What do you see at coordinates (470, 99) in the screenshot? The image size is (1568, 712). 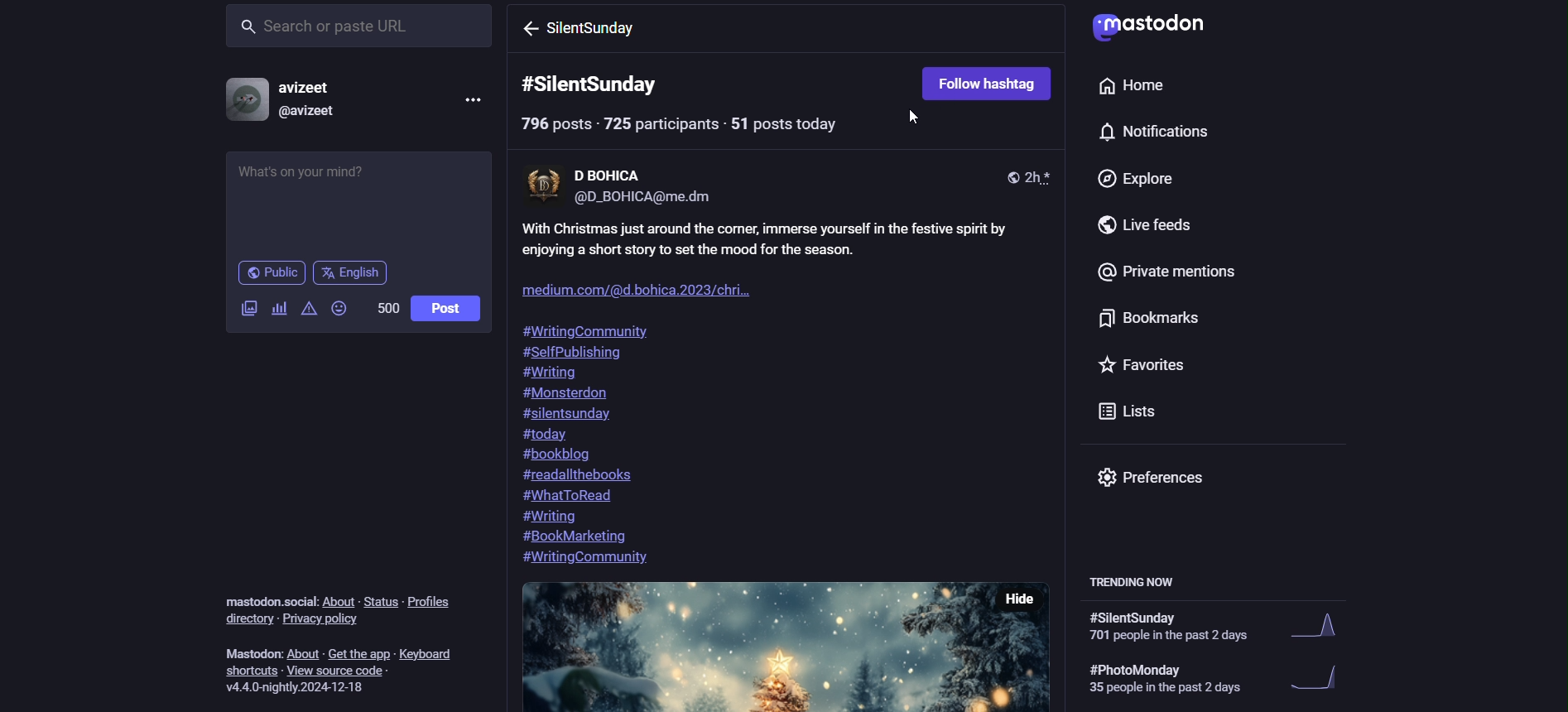 I see `menu` at bounding box center [470, 99].